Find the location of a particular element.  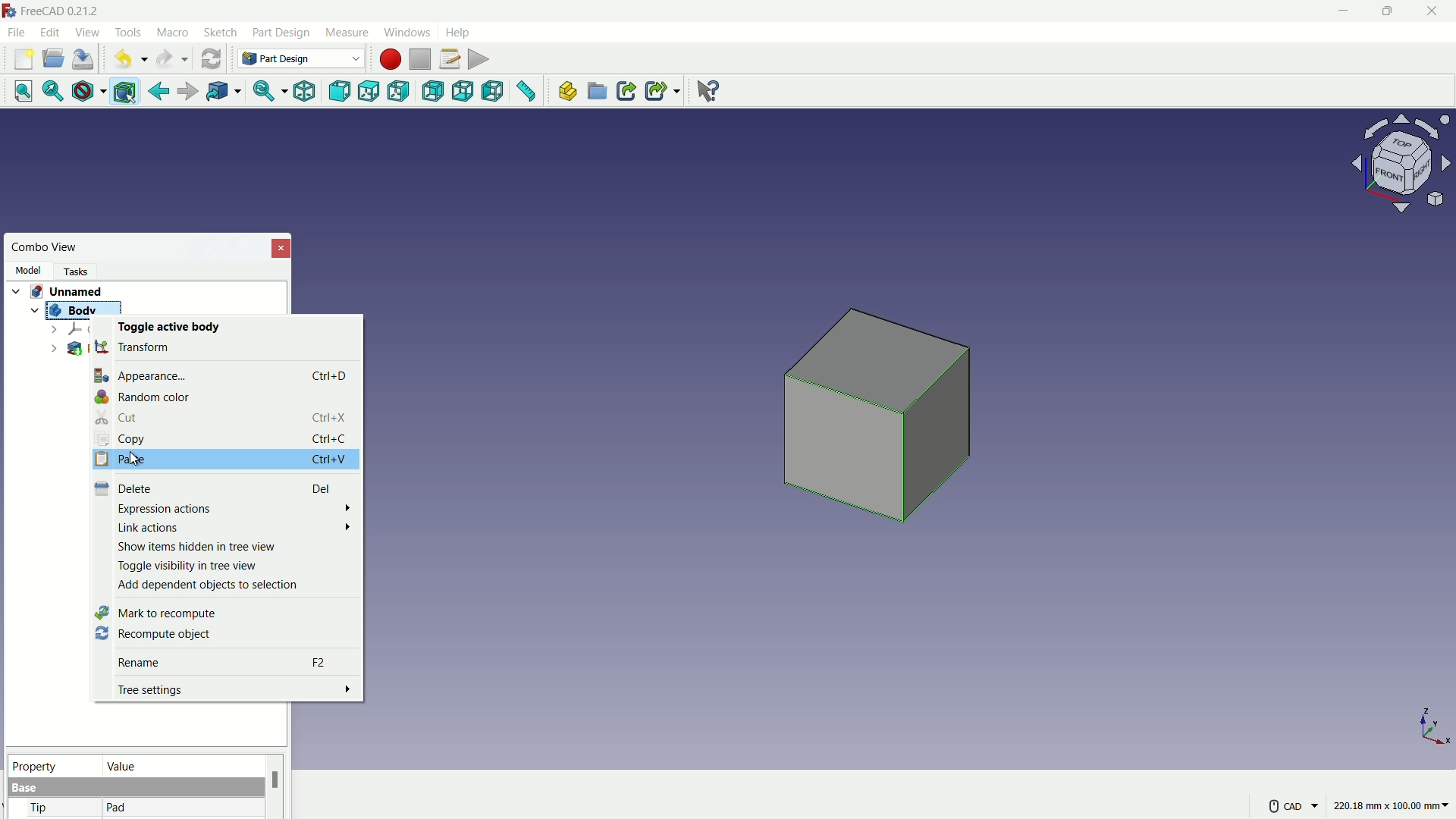

Show items hidden in tree view is located at coordinates (195, 548).